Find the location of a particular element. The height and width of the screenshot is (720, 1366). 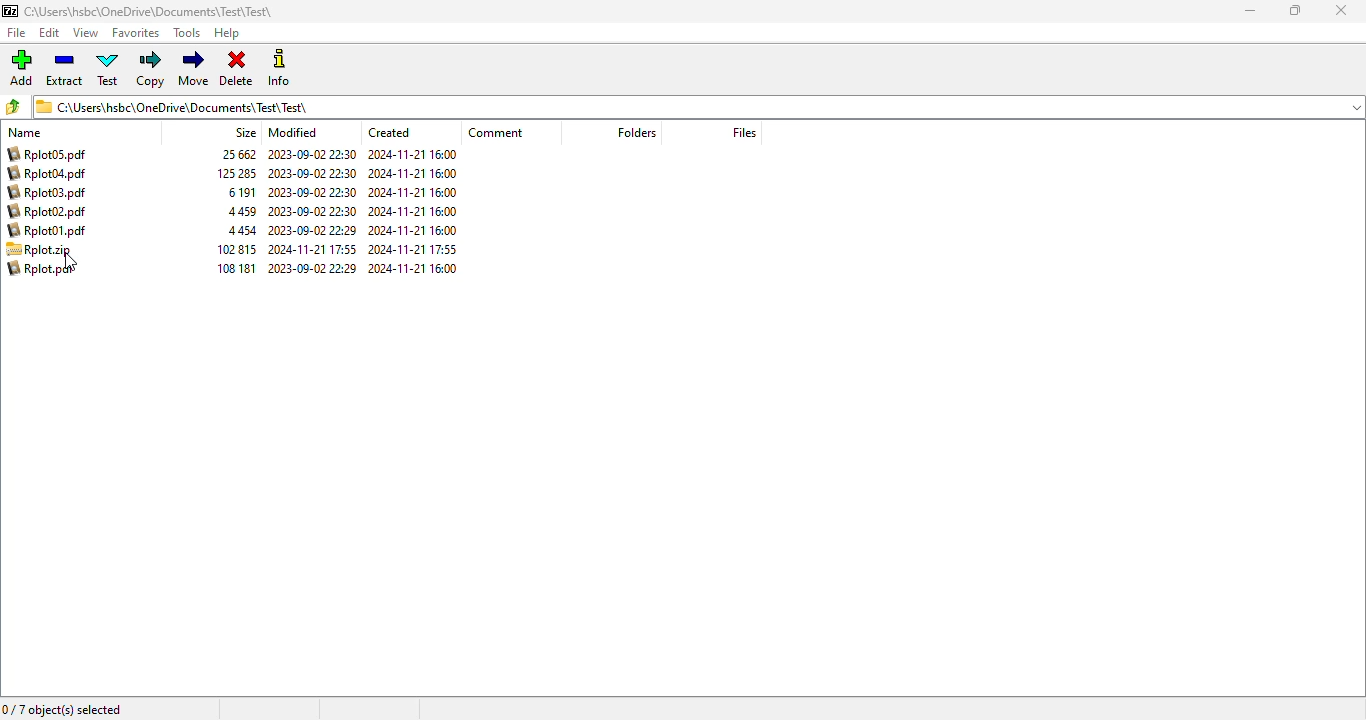

2023-09-02 22:30 is located at coordinates (312, 174).